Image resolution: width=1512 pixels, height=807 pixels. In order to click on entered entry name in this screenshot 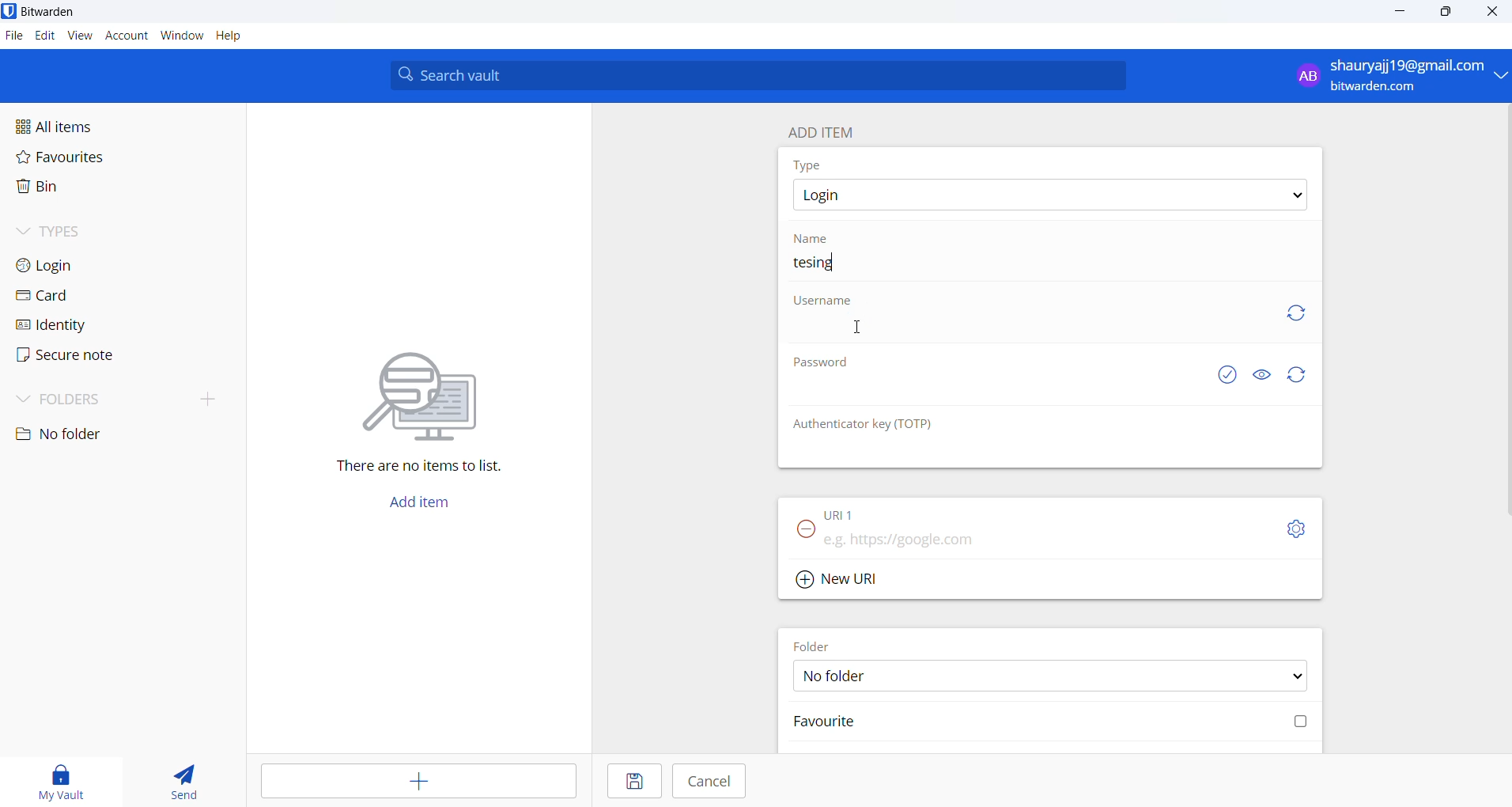, I will do `click(824, 263)`.